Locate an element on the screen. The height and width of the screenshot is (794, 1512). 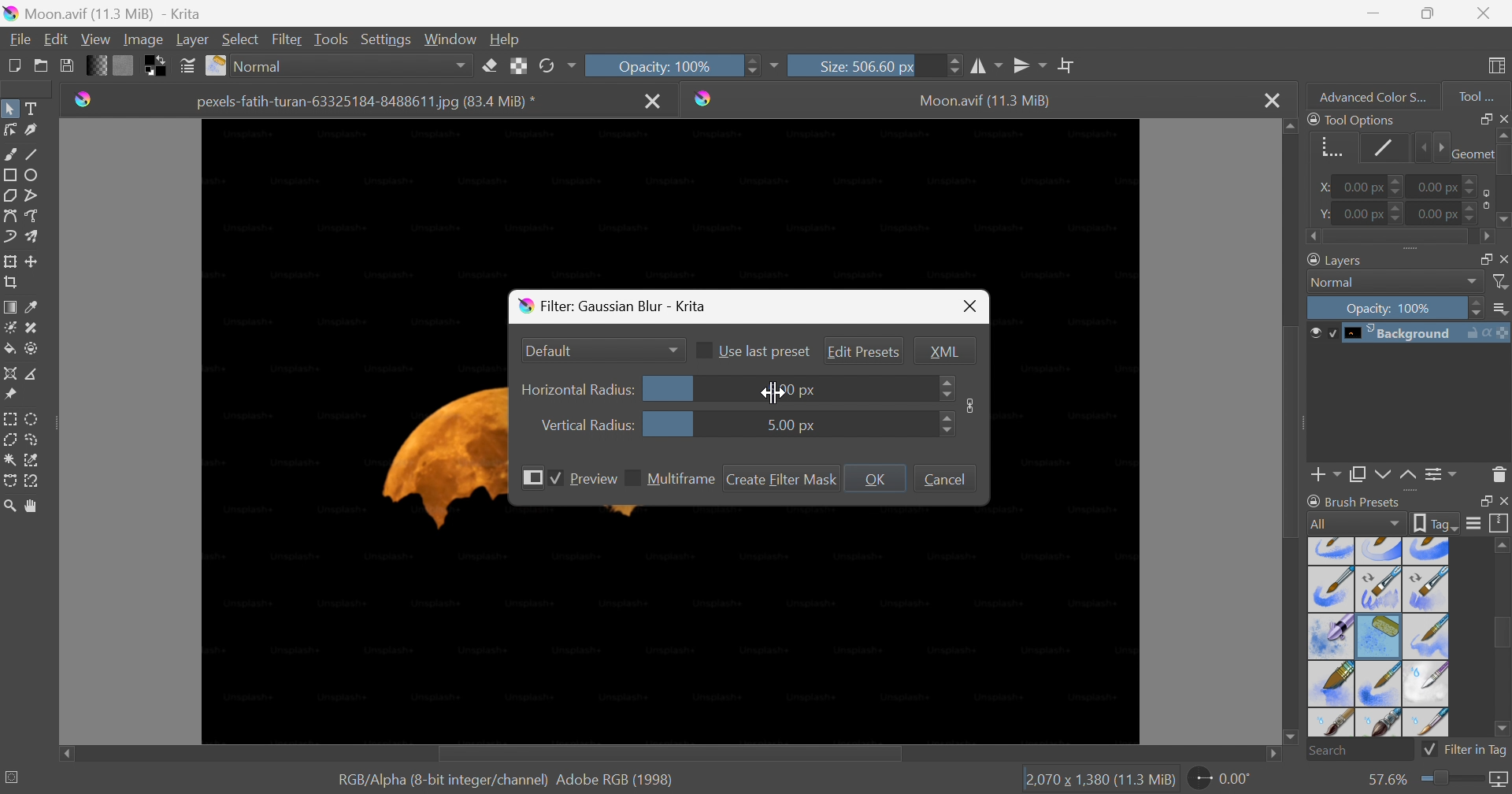
Previous is located at coordinates (1419, 148).